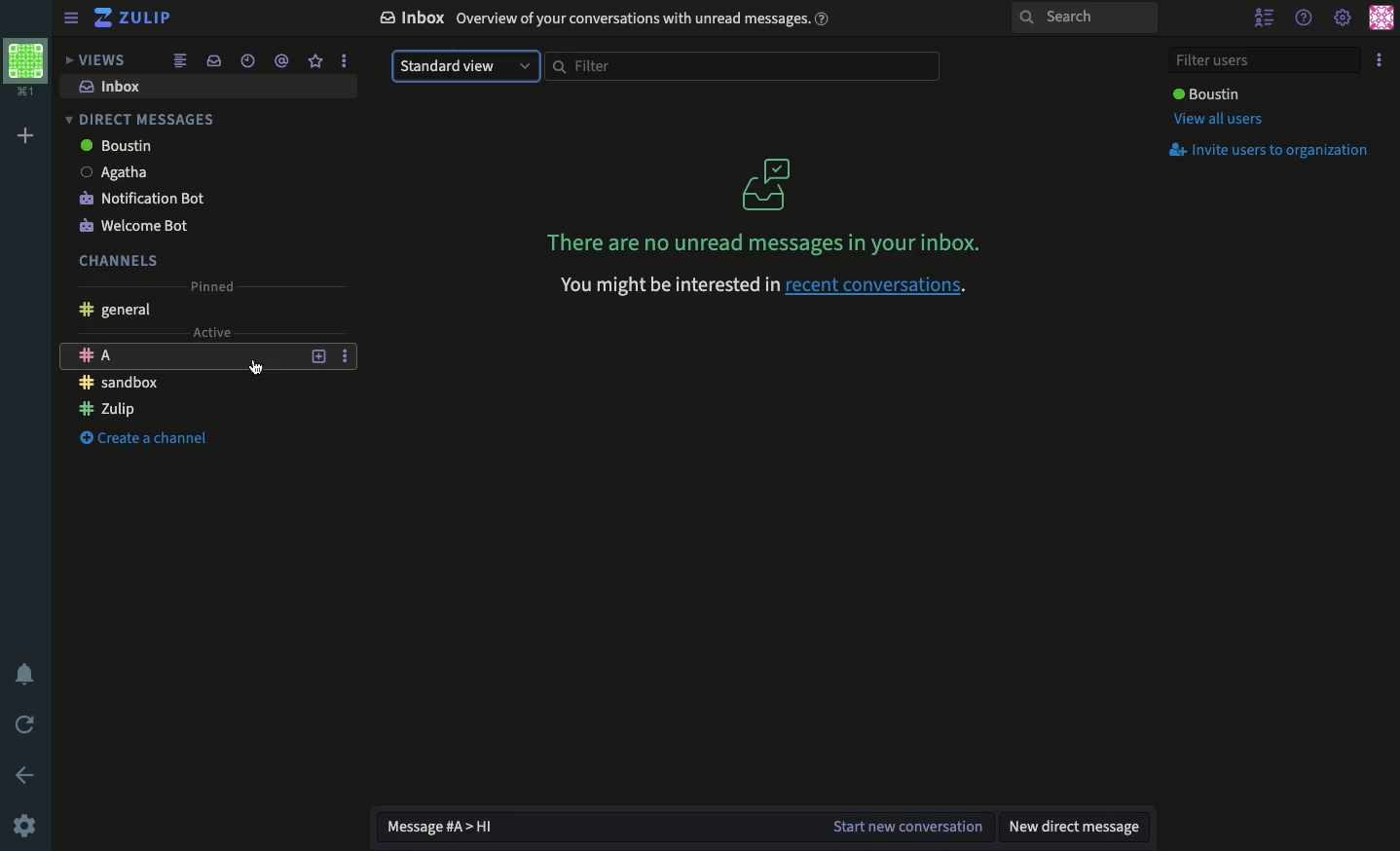  I want to click on Channel A, so click(185, 356).